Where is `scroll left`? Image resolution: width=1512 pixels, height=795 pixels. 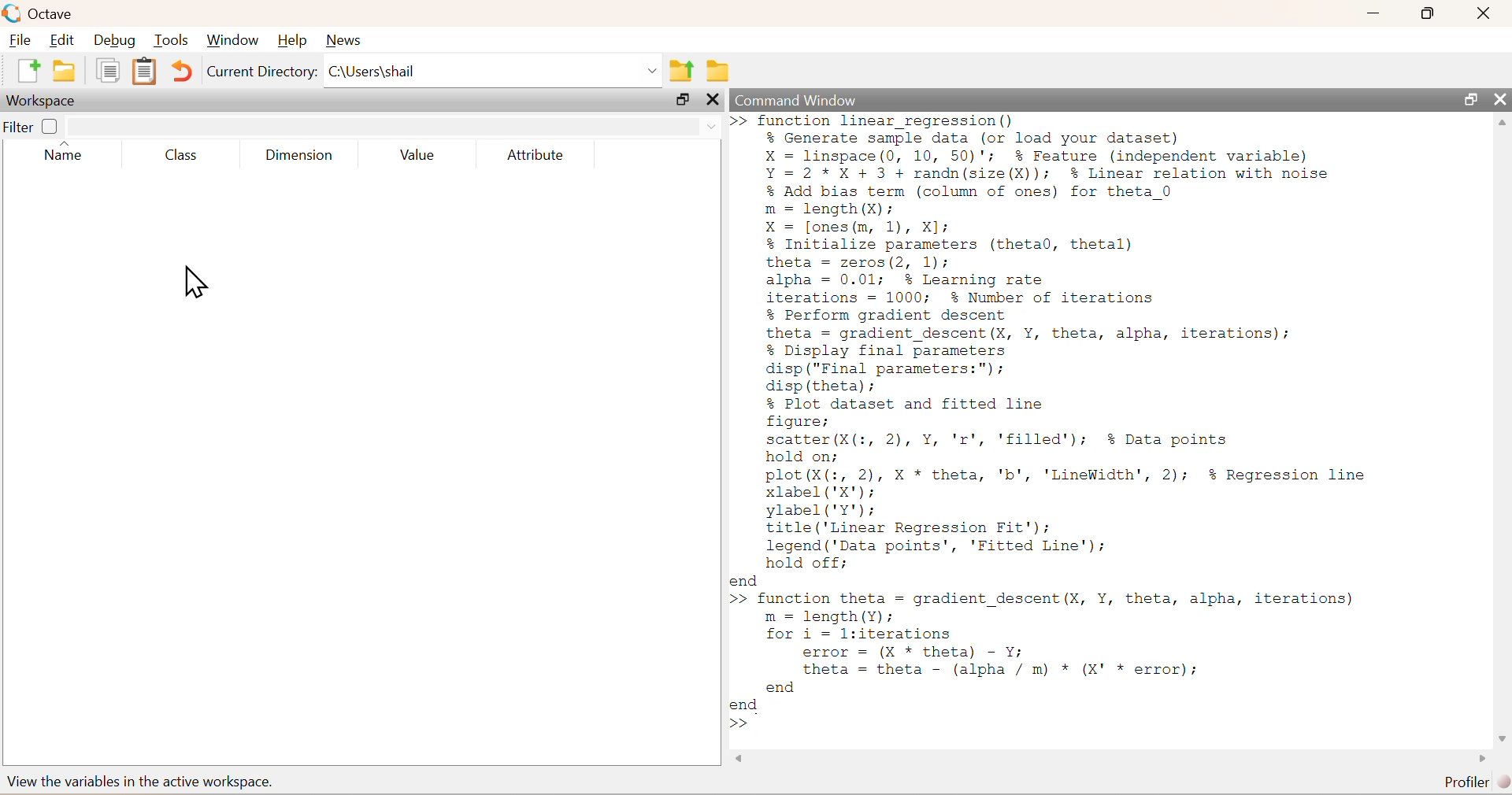 scroll left is located at coordinates (1479, 759).